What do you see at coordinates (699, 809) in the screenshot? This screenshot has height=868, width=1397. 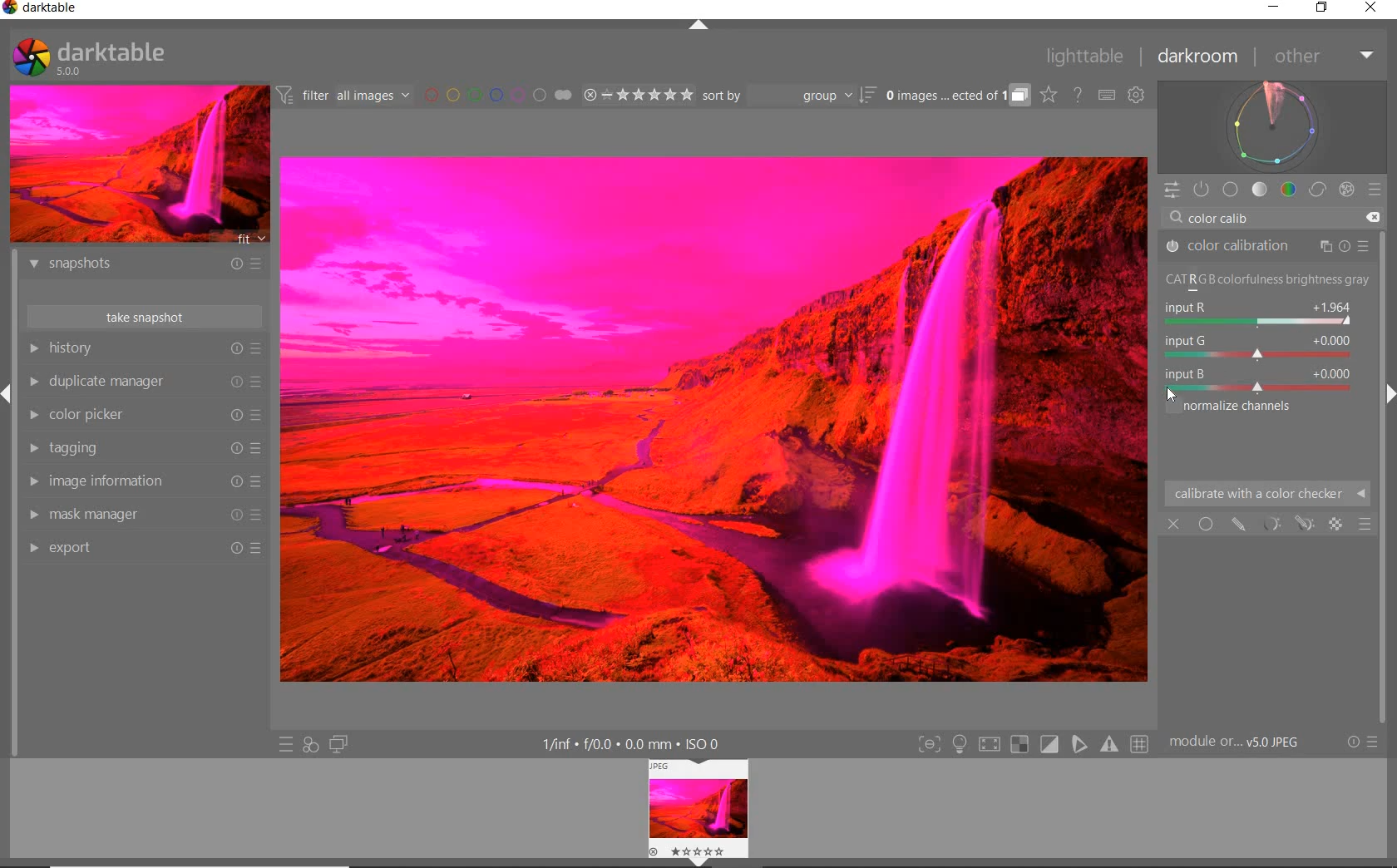 I see `image ` at bounding box center [699, 809].